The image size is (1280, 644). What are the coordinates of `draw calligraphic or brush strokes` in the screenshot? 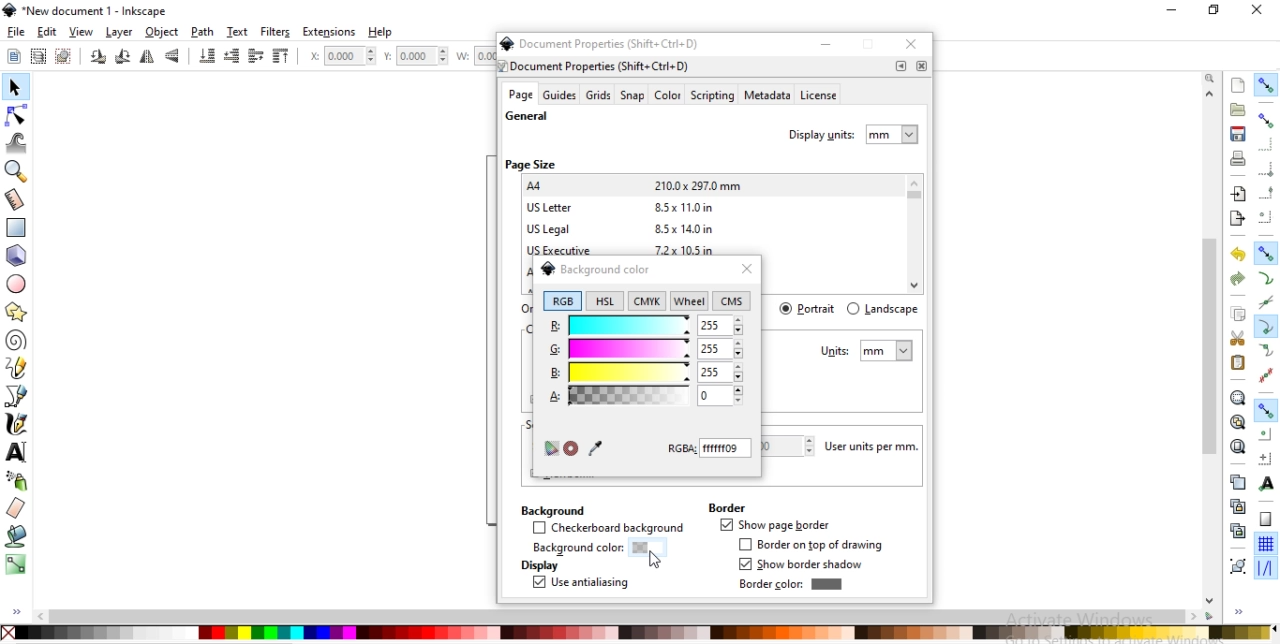 It's located at (19, 424).